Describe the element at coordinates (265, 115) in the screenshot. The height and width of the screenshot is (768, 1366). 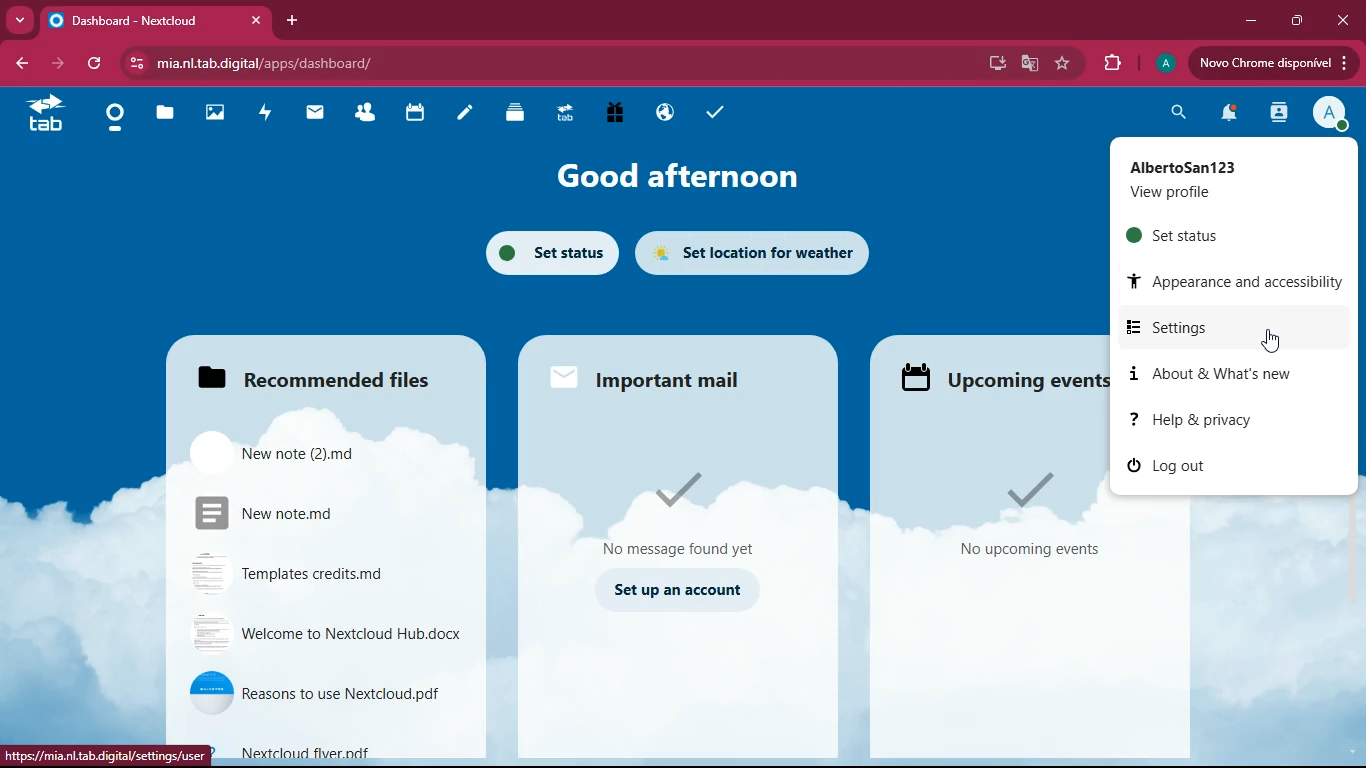
I see `activity` at that location.